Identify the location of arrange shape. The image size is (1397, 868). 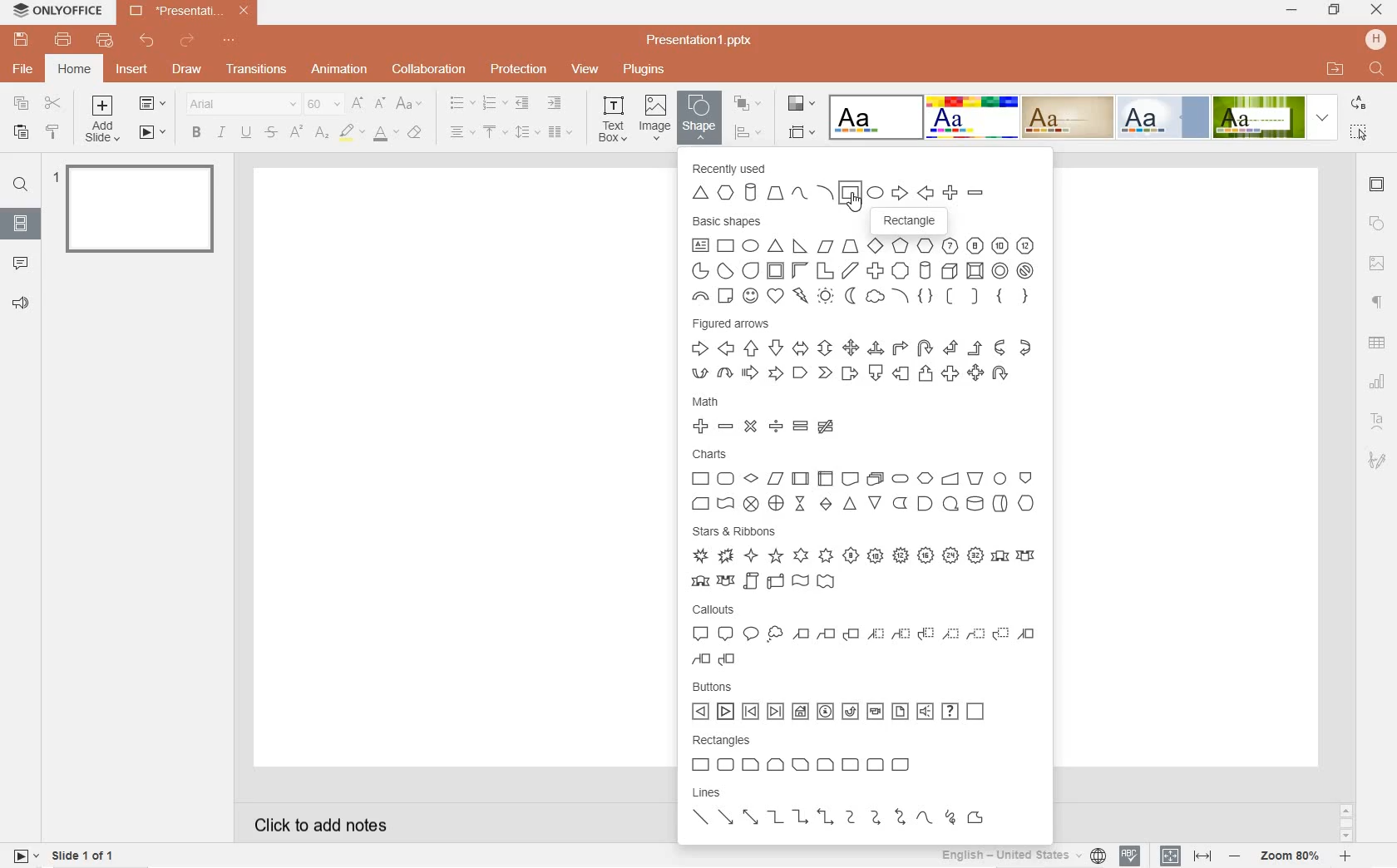
(747, 103).